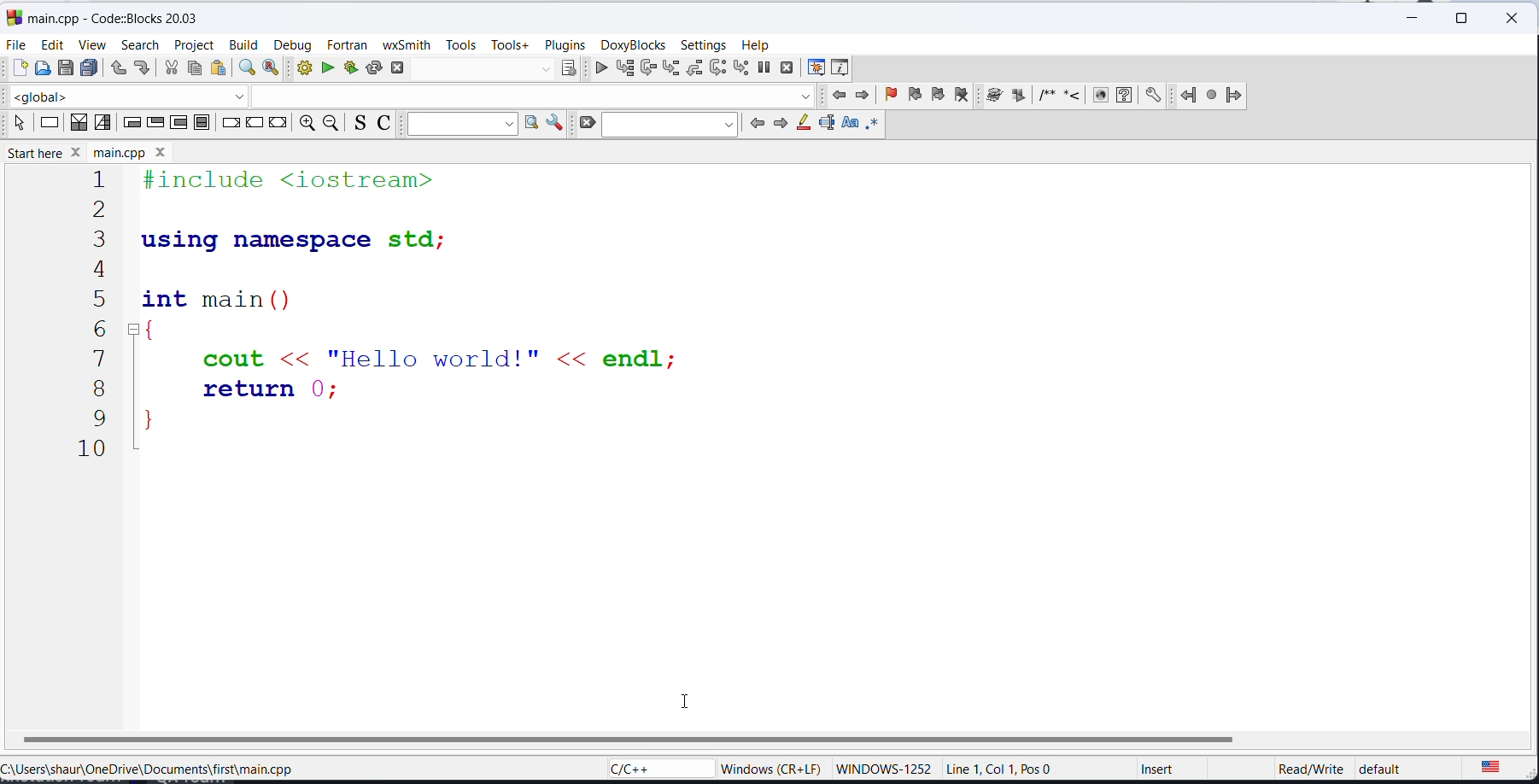 This screenshot has width=1539, height=784. What do you see at coordinates (408, 44) in the screenshot?
I see `wxSmith` at bounding box center [408, 44].